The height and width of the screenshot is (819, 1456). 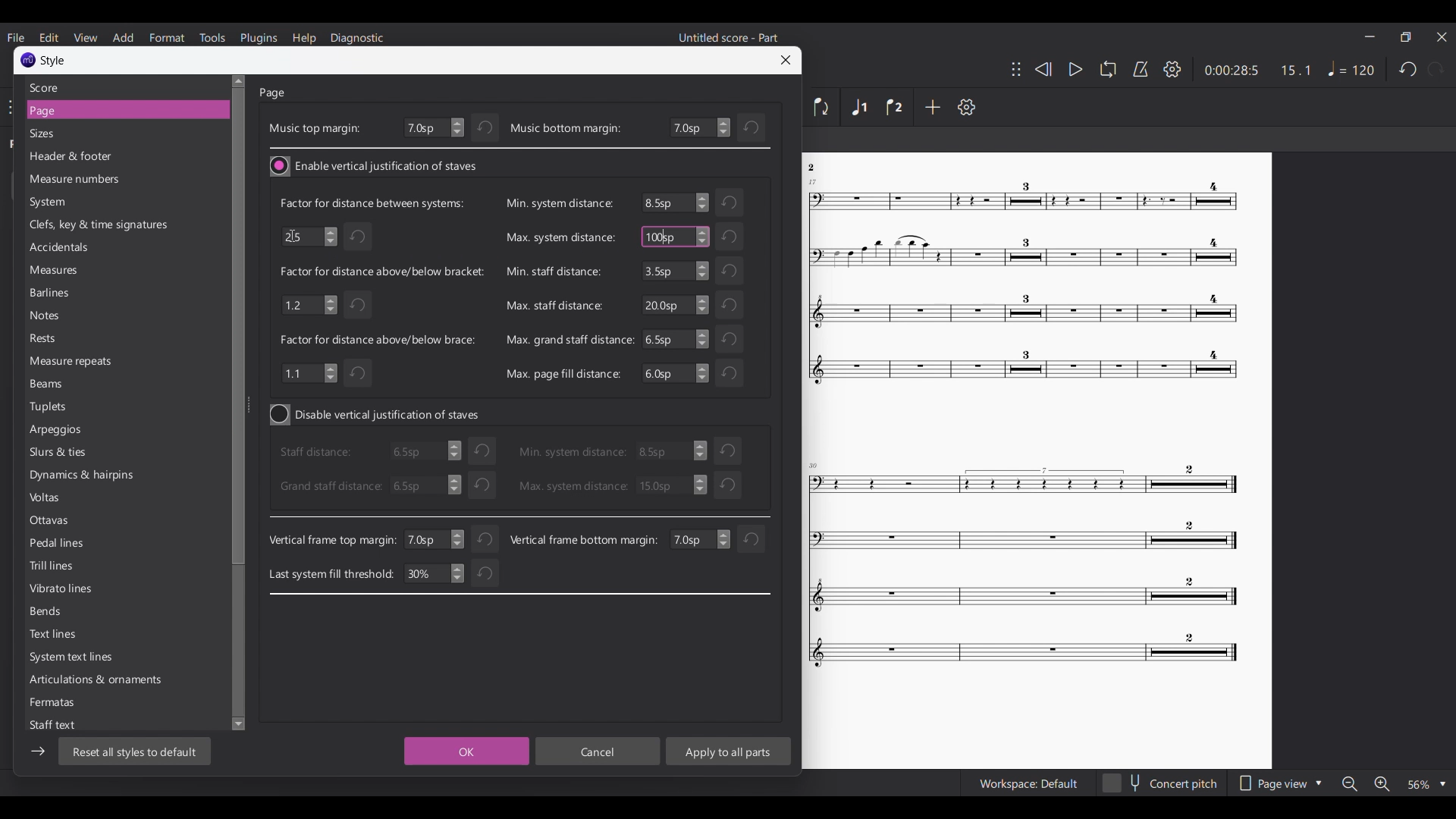 I want to click on Reset to default, so click(x=134, y=751).